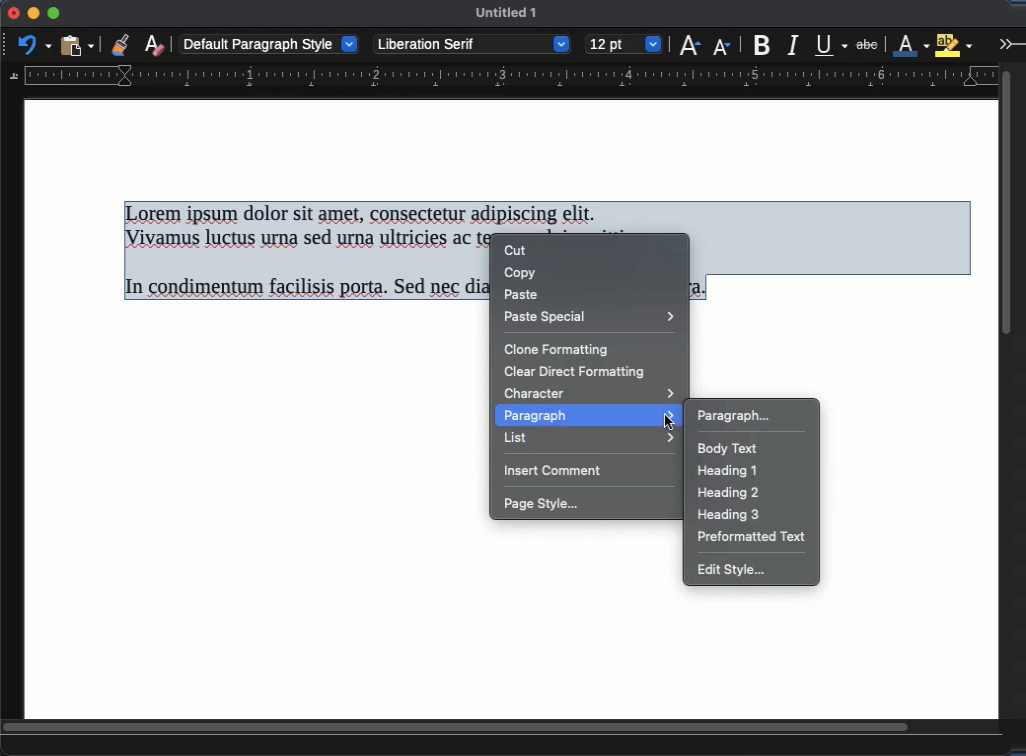 The height and width of the screenshot is (756, 1026). I want to click on clear formatting, so click(154, 44).